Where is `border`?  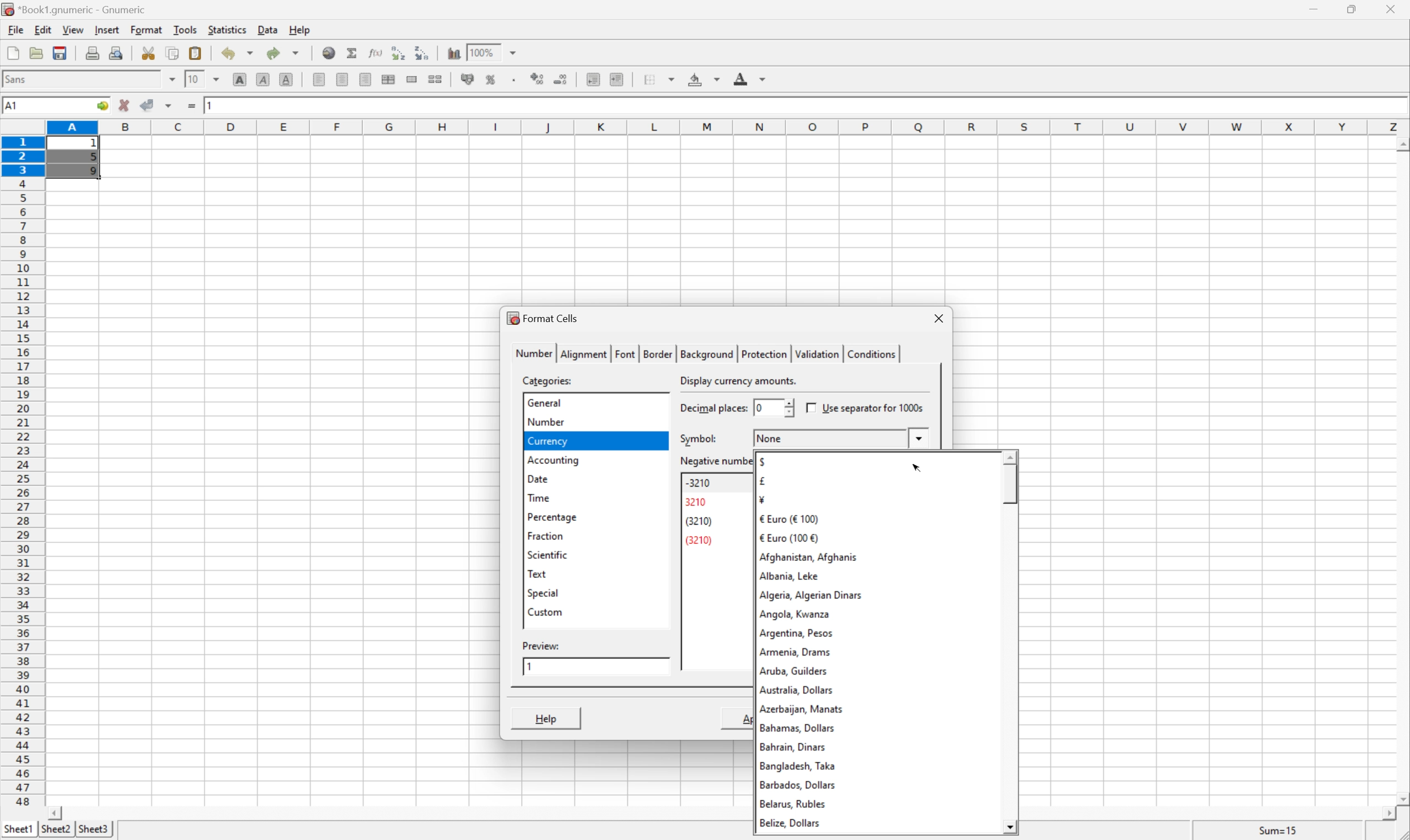
border is located at coordinates (656, 353).